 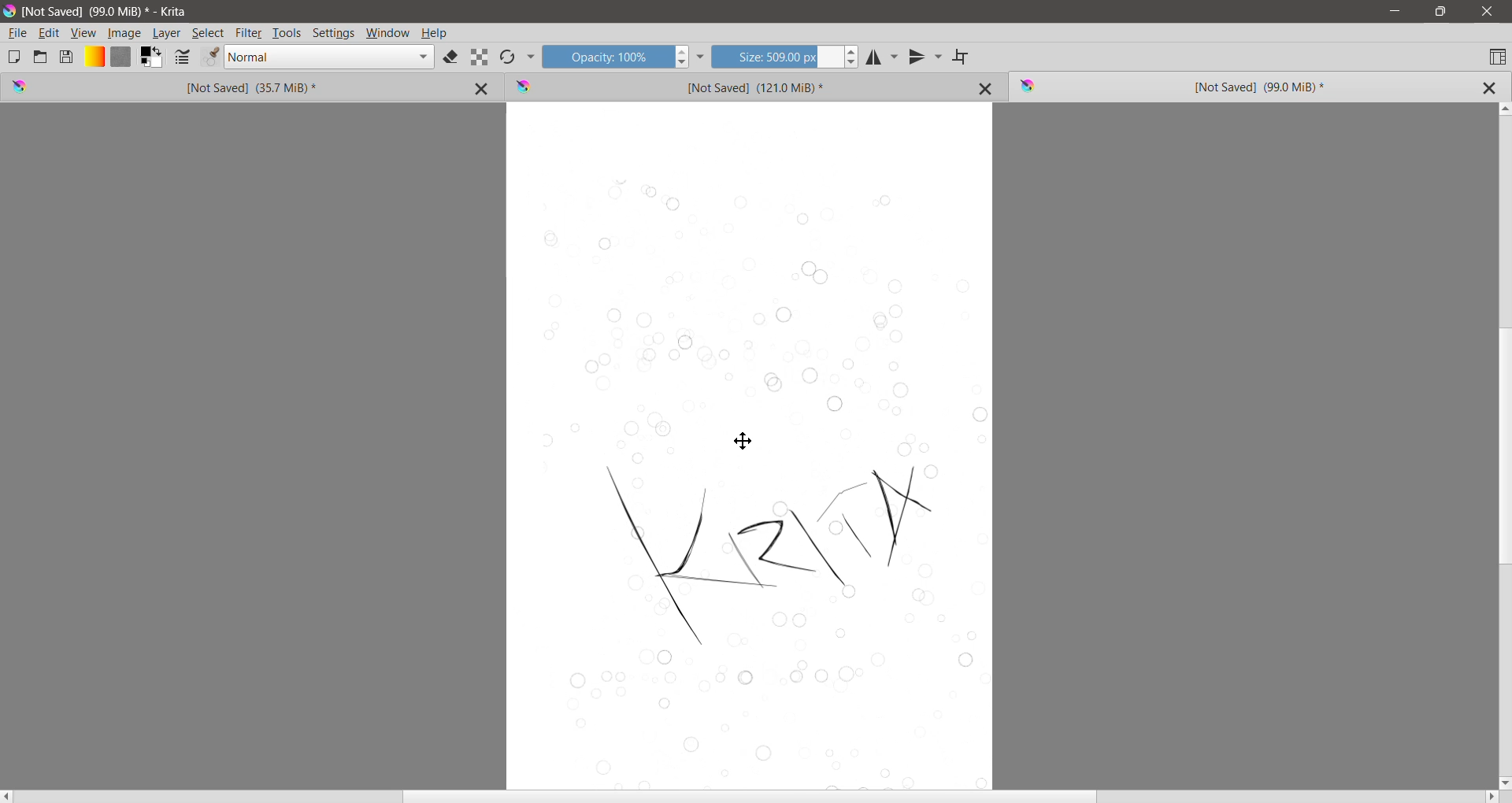 I want to click on Restore Down, so click(x=1440, y=12).